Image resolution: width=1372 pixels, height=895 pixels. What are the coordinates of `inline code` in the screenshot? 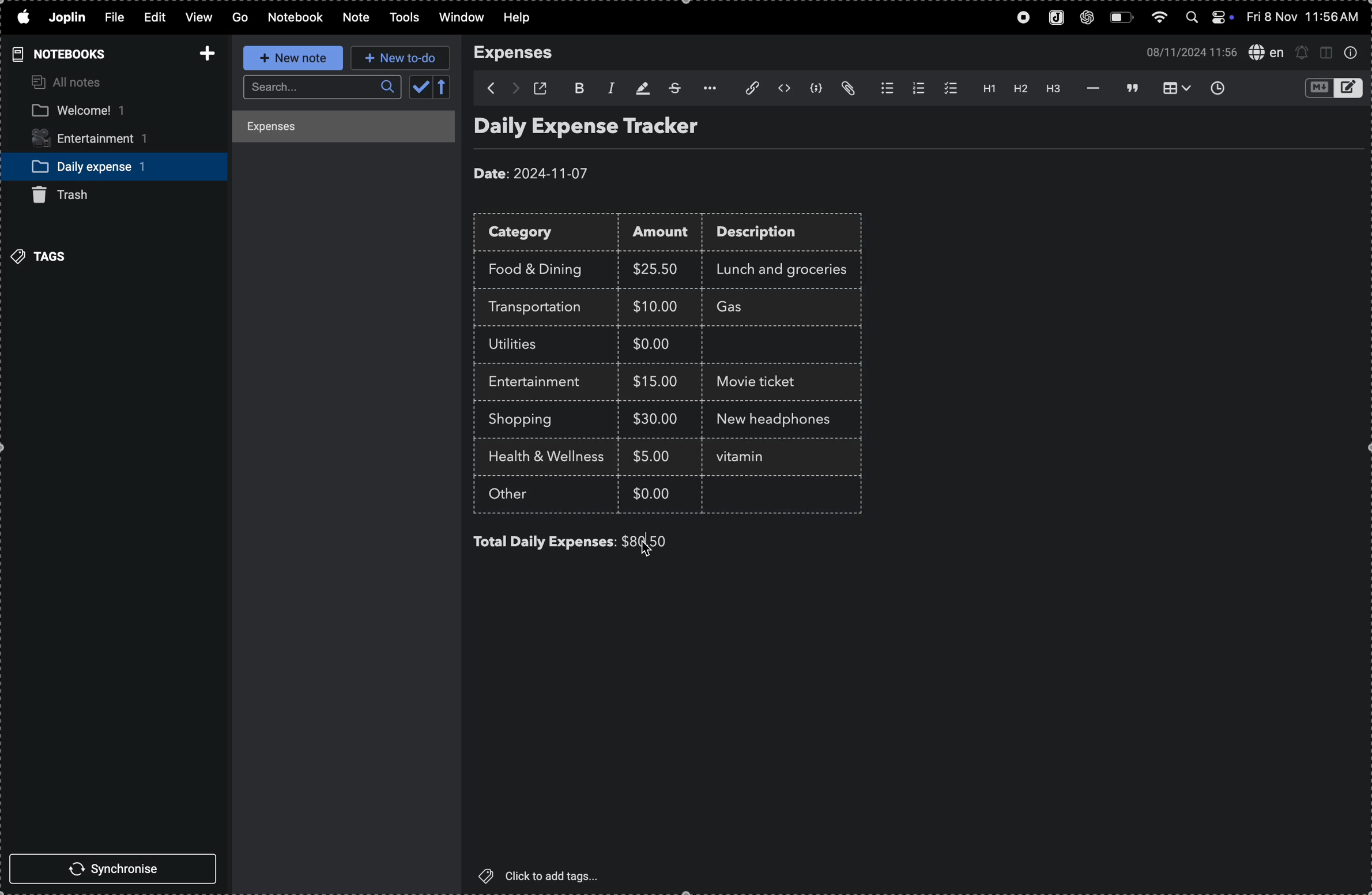 It's located at (783, 89).